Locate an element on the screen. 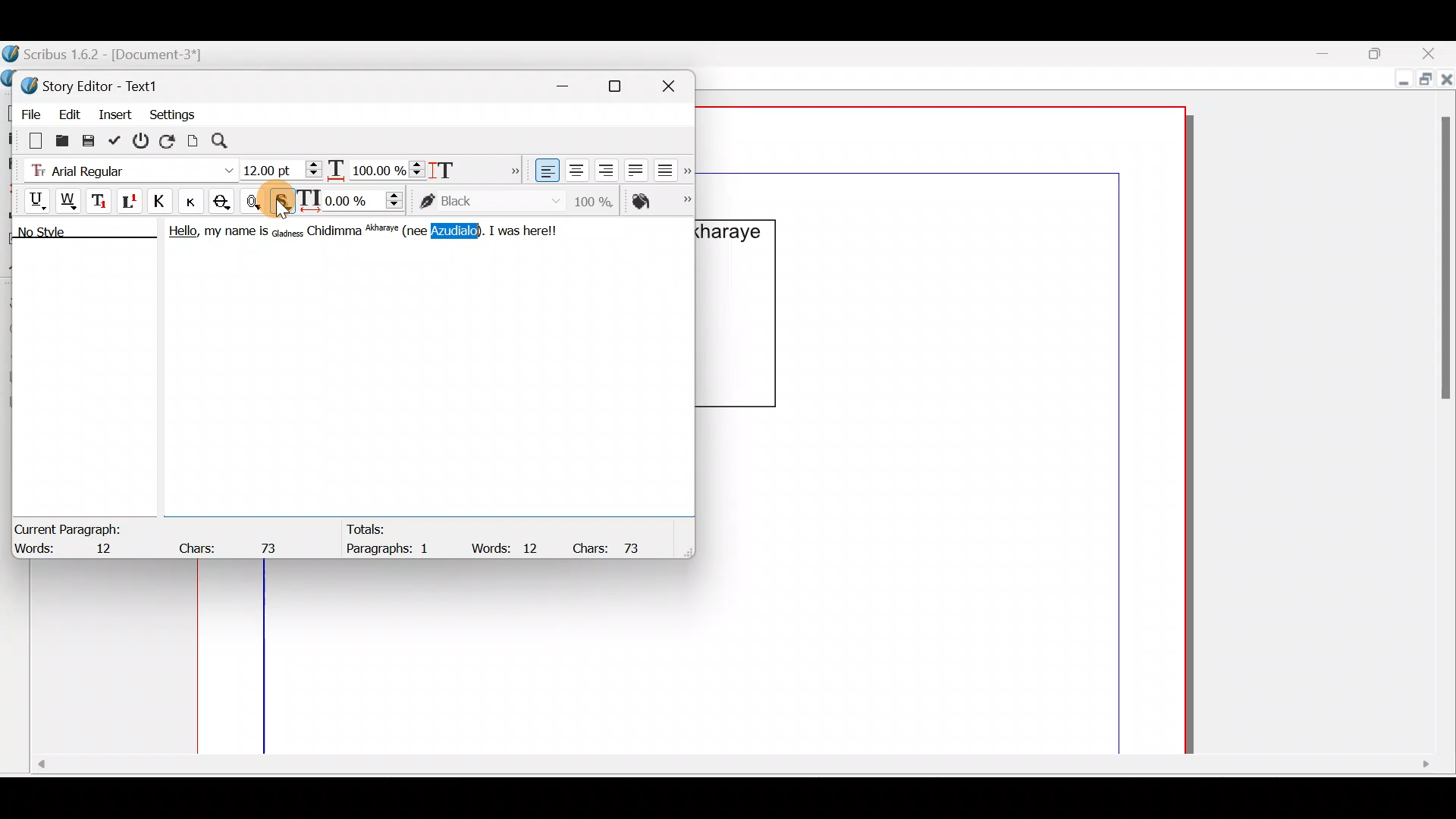 This screenshot has width=1456, height=819. Outline is located at coordinates (256, 199).